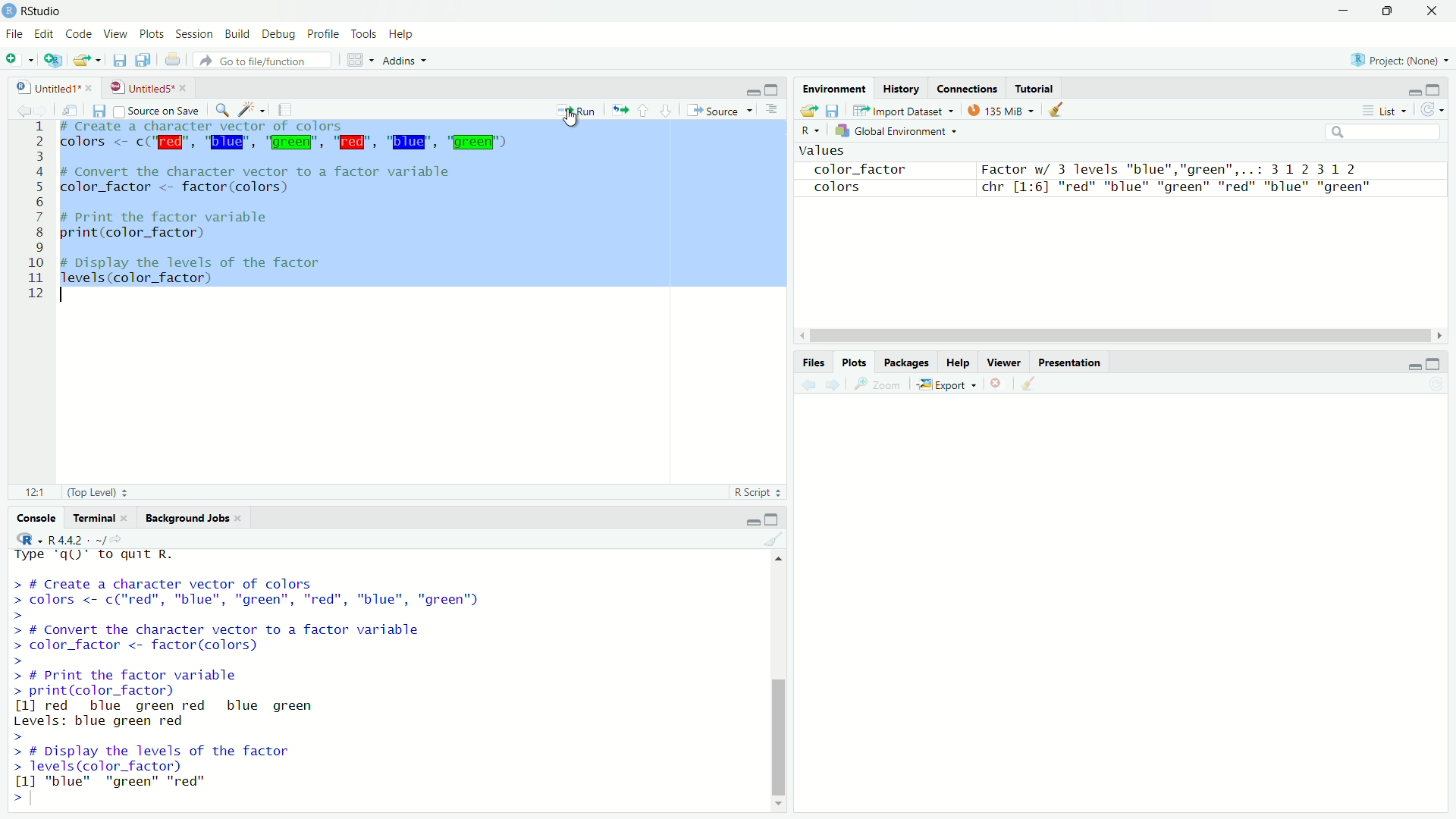 Image resolution: width=1456 pixels, height=819 pixels. What do you see at coordinates (1131, 613) in the screenshot?
I see `empty plot area` at bounding box center [1131, 613].